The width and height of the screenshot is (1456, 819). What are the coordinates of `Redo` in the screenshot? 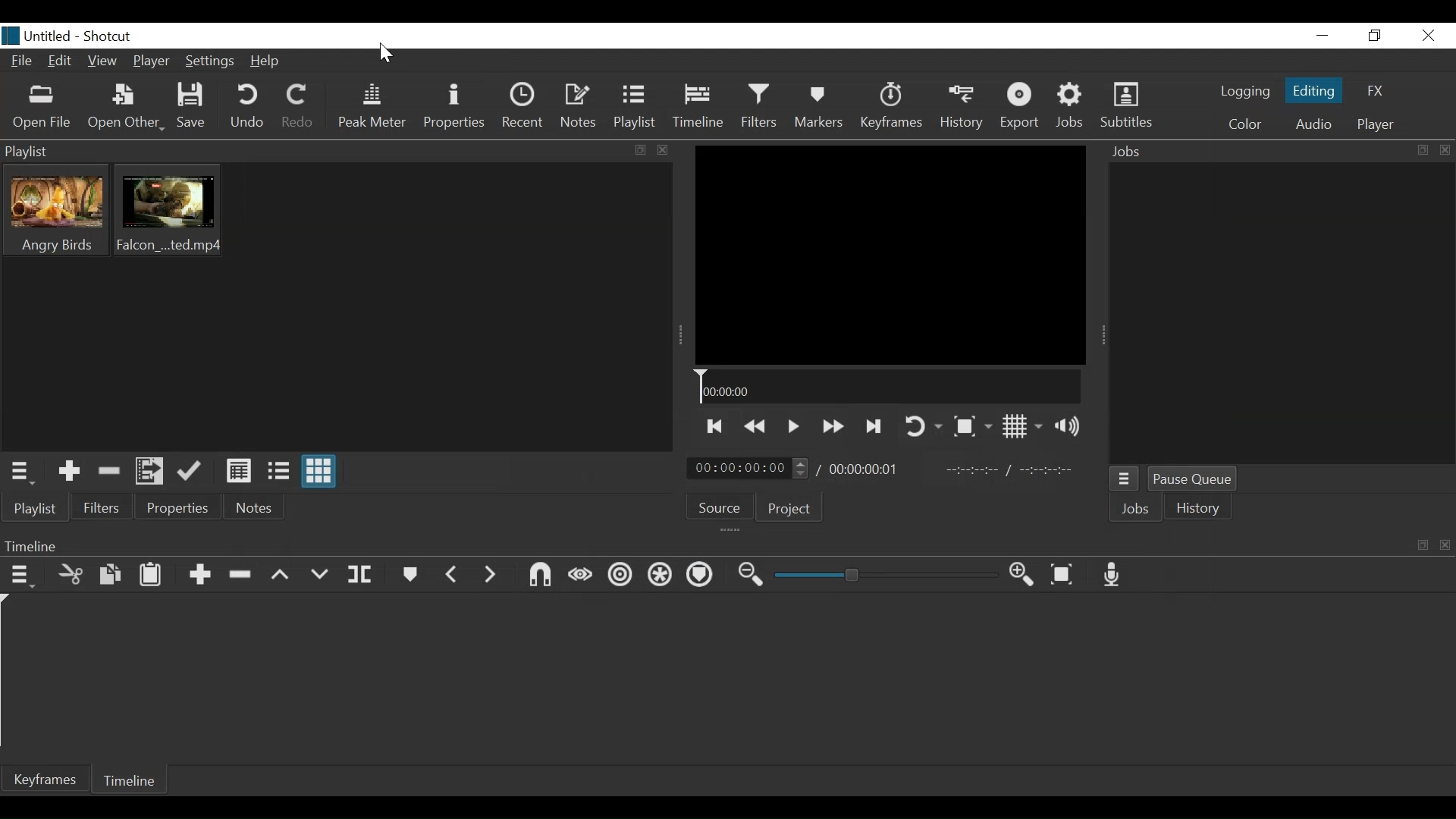 It's located at (297, 108).